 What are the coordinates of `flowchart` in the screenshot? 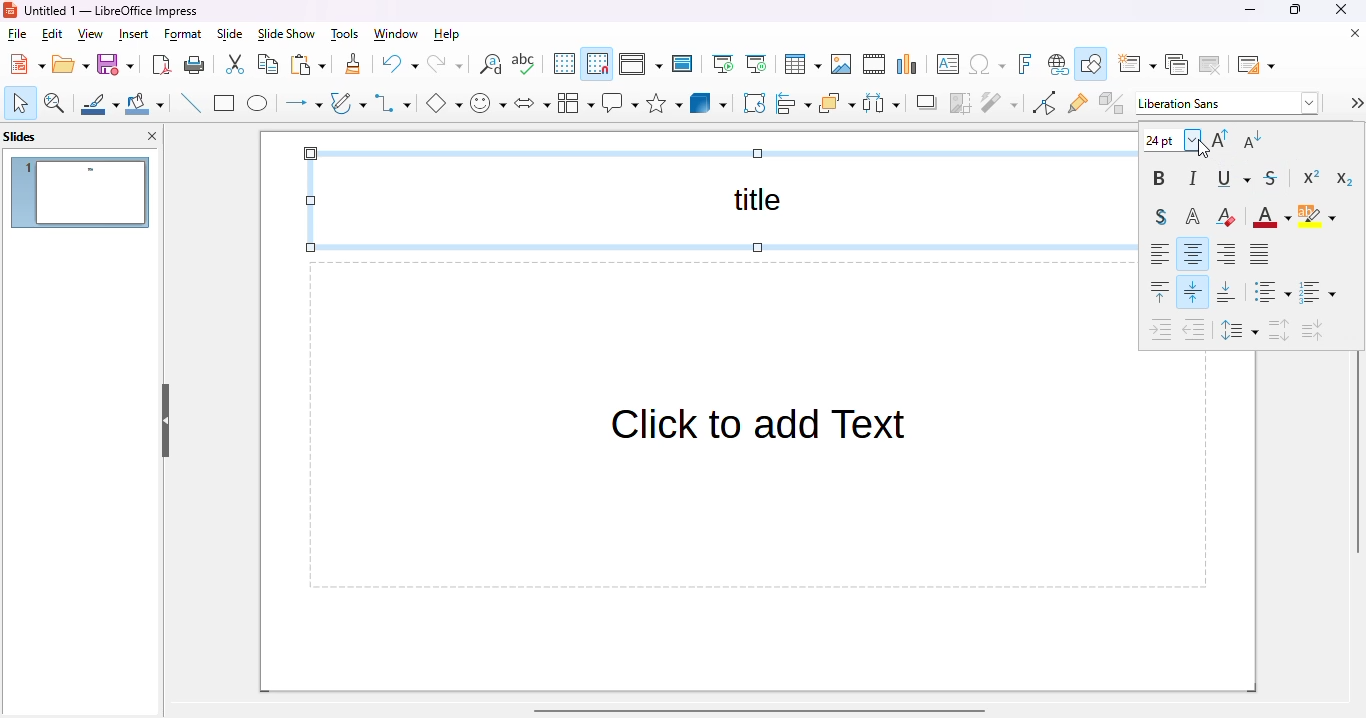 It's located at (575, 103).